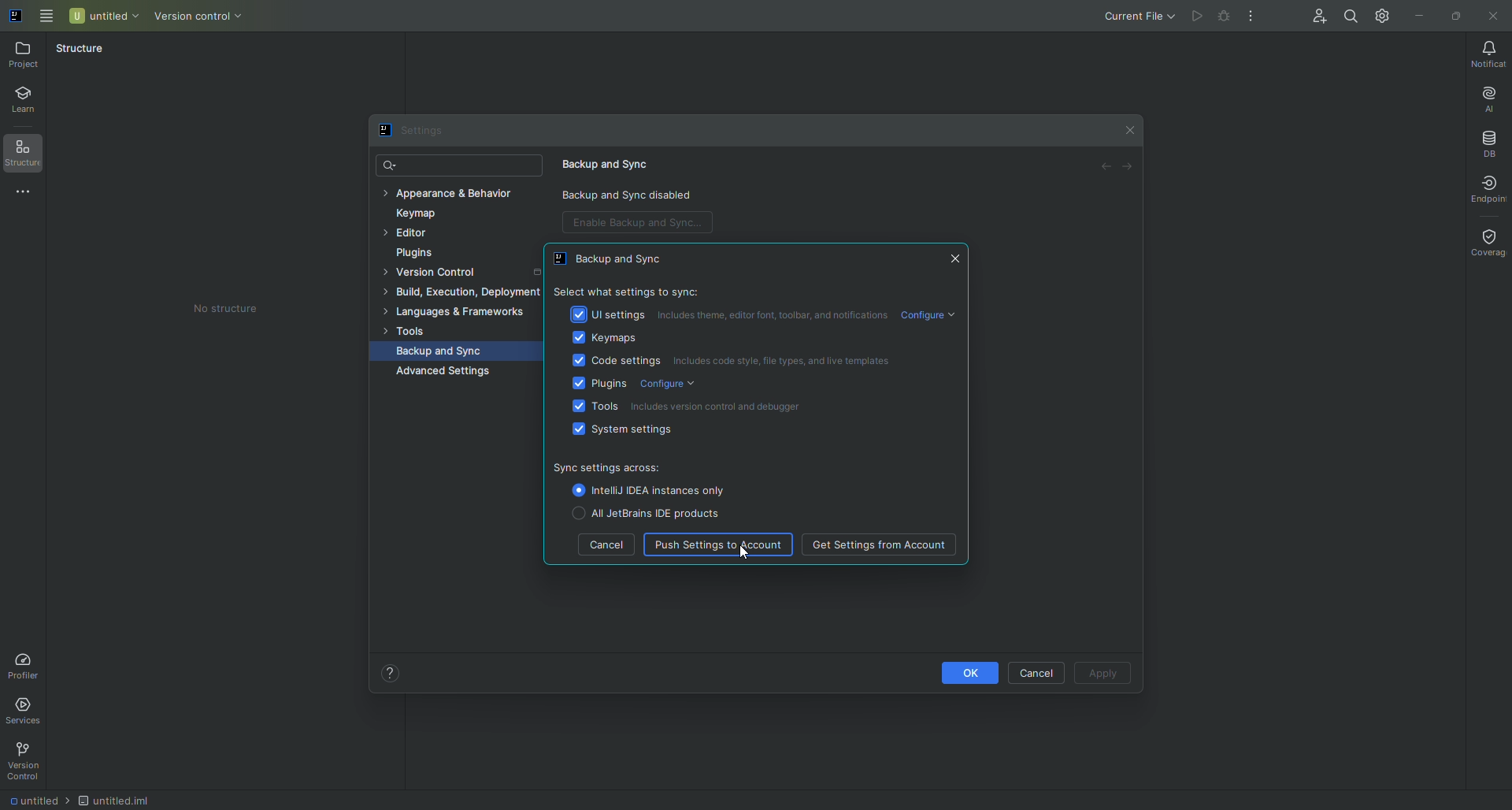 The image size is (1512, 810). I want to click on Updates and Settings, so click(1383, 15).